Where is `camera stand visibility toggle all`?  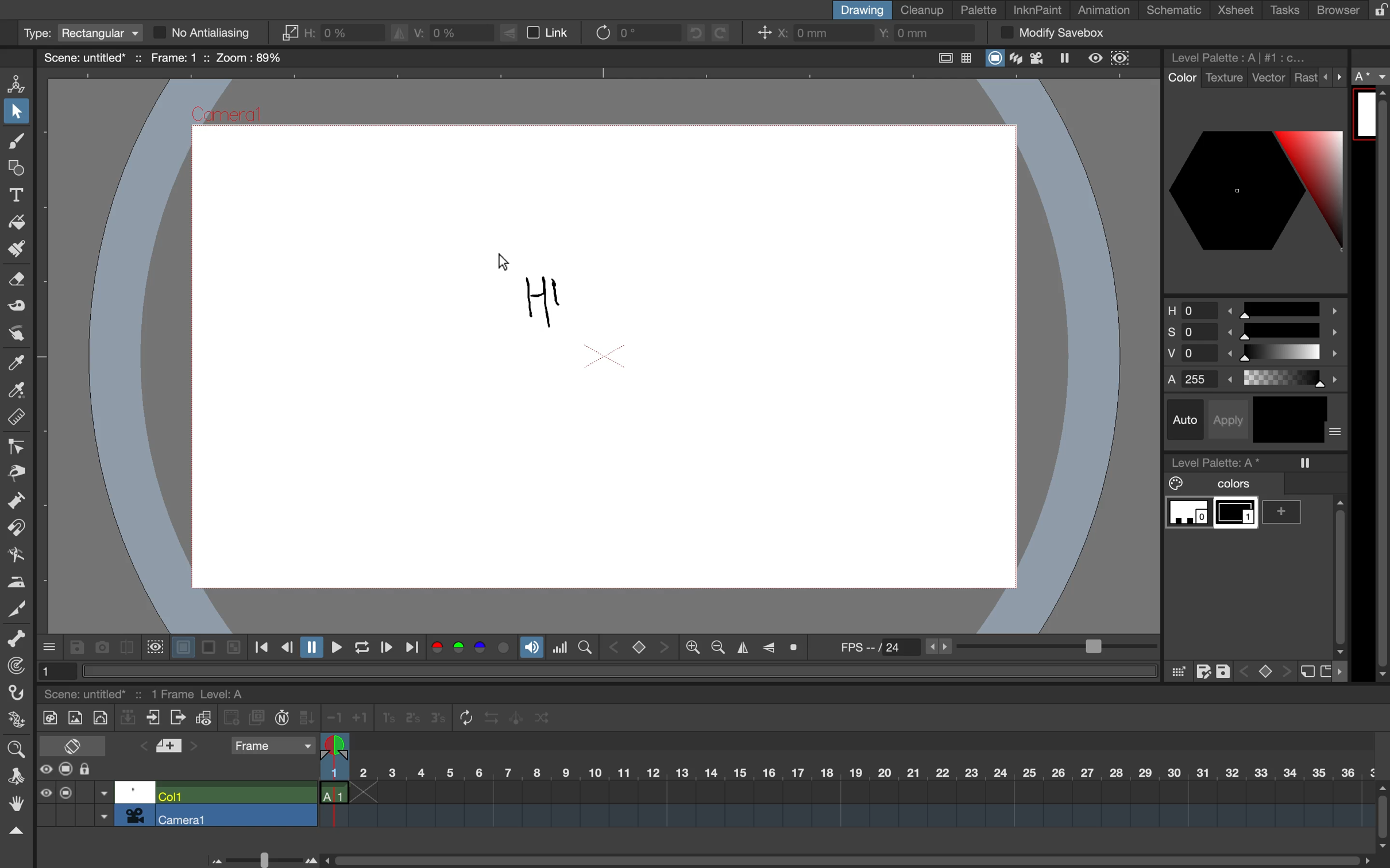
camera stand visibility toggle all is located at coordinates (65, 792).